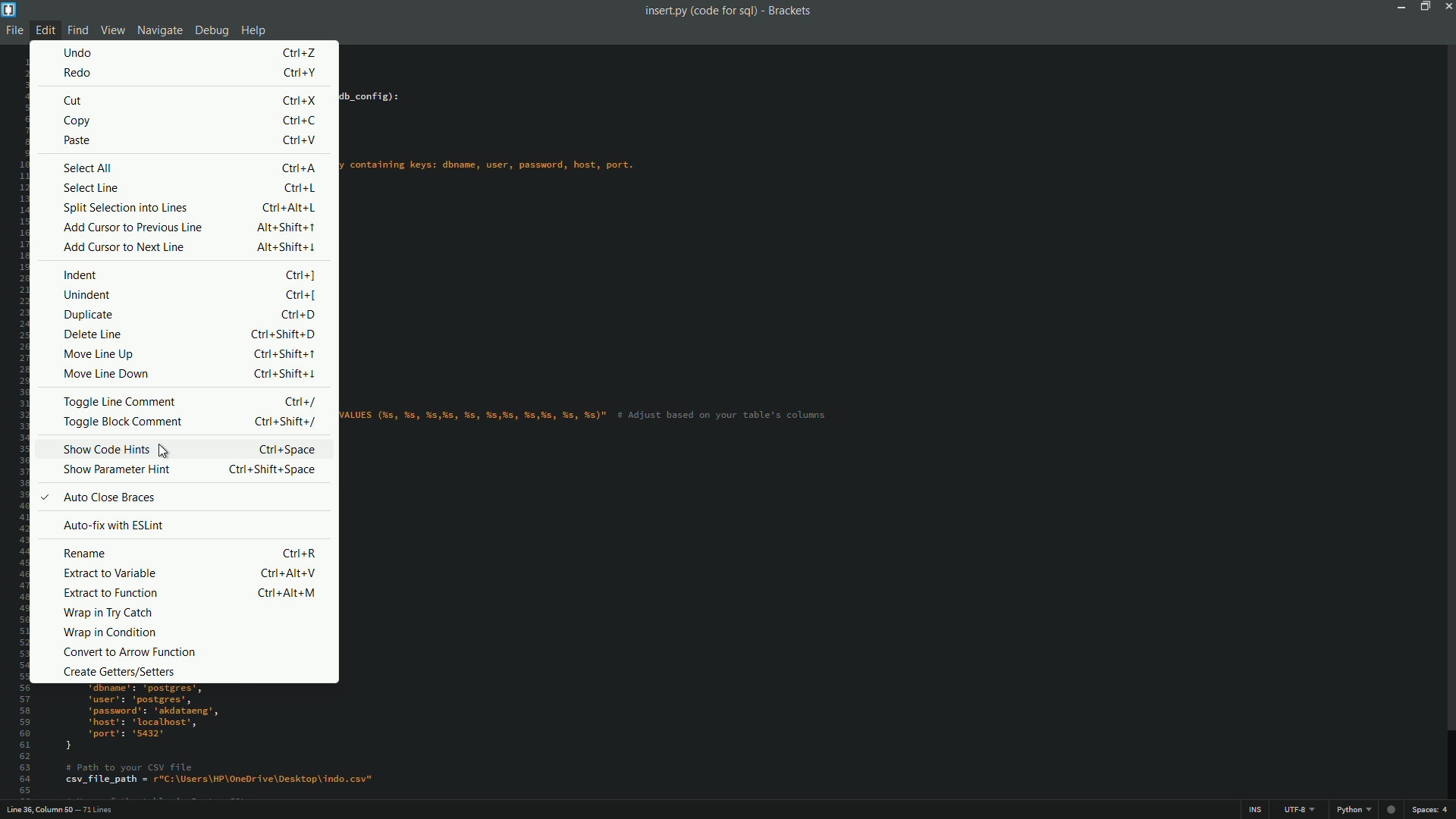 This screenshot has height=819, width=1456. What do you see at coordinates (299, 296) in the screenshot?
I see `keyboard shortcut` at bounding box center [299, 296].